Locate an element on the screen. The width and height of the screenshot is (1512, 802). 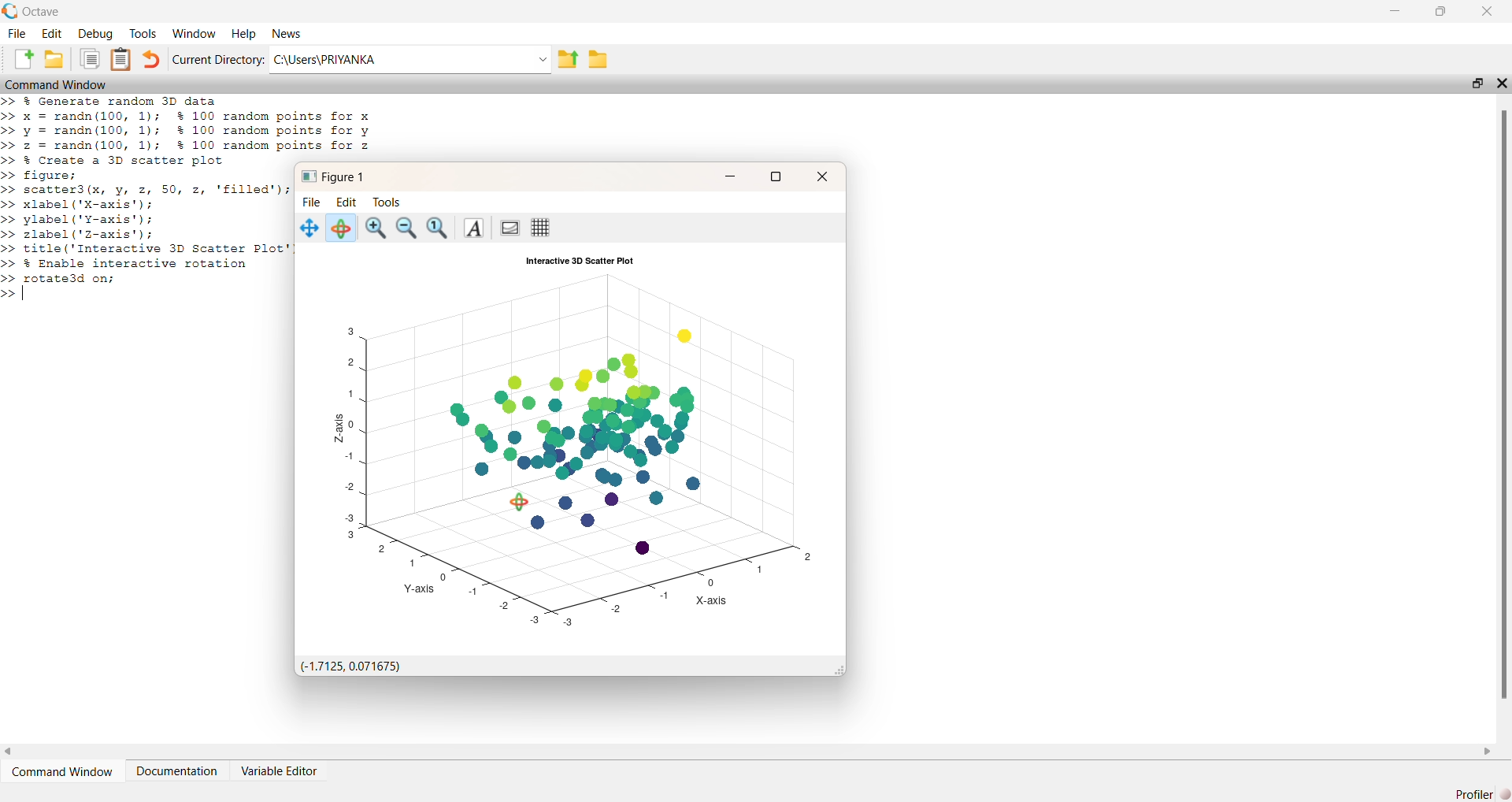
move is located at coordinates (309, 228).